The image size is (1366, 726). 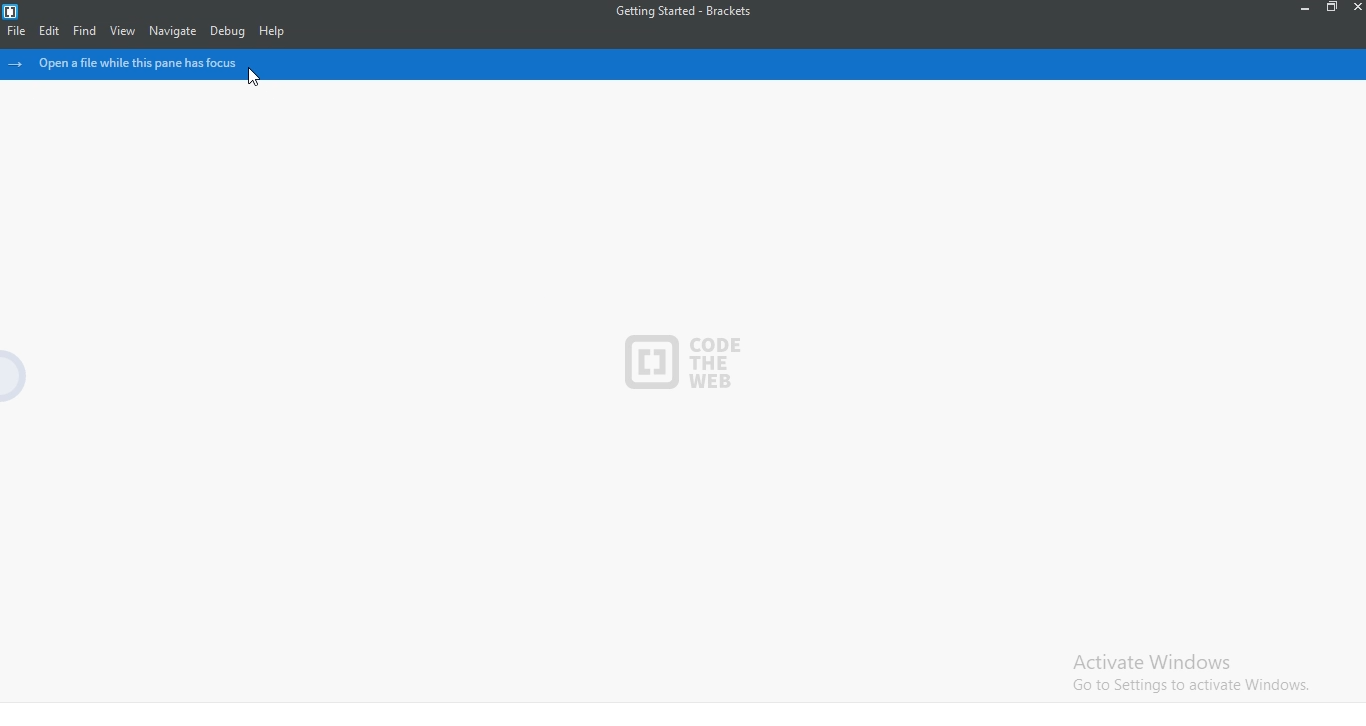 I want to click on hide icons, so click(x=17, y=65).